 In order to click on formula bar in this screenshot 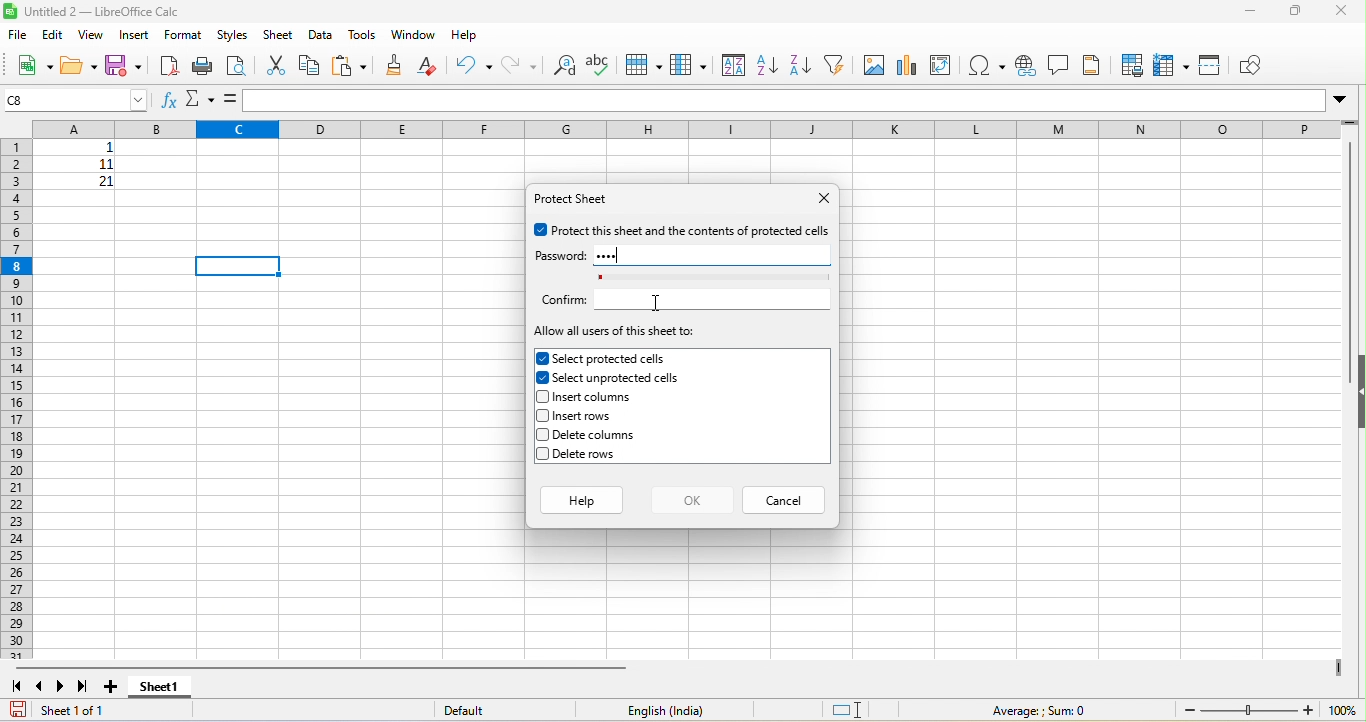, I will do `click(797, 101)`.